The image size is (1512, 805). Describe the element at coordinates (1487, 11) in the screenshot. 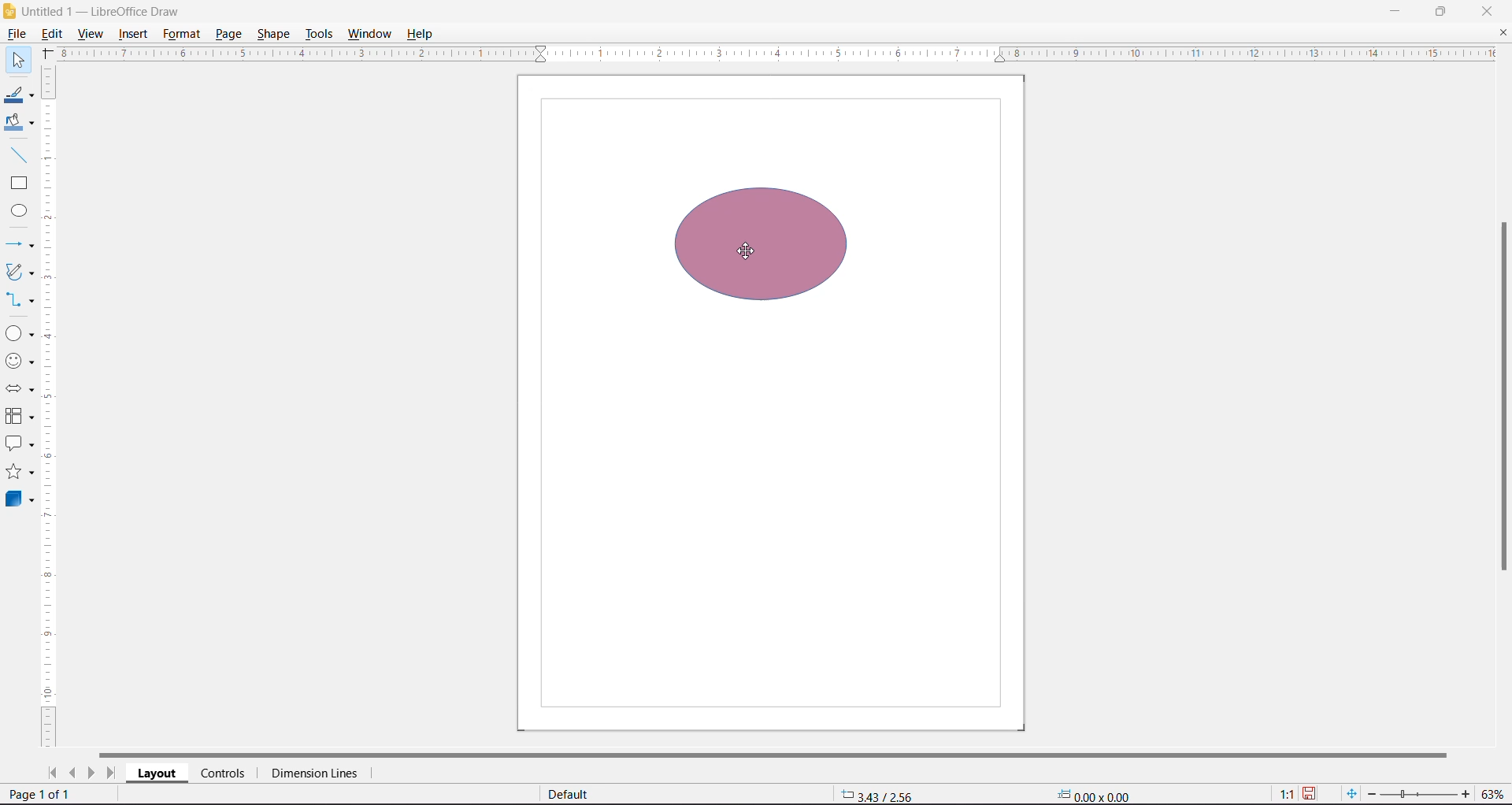

I see `Close` at that location.